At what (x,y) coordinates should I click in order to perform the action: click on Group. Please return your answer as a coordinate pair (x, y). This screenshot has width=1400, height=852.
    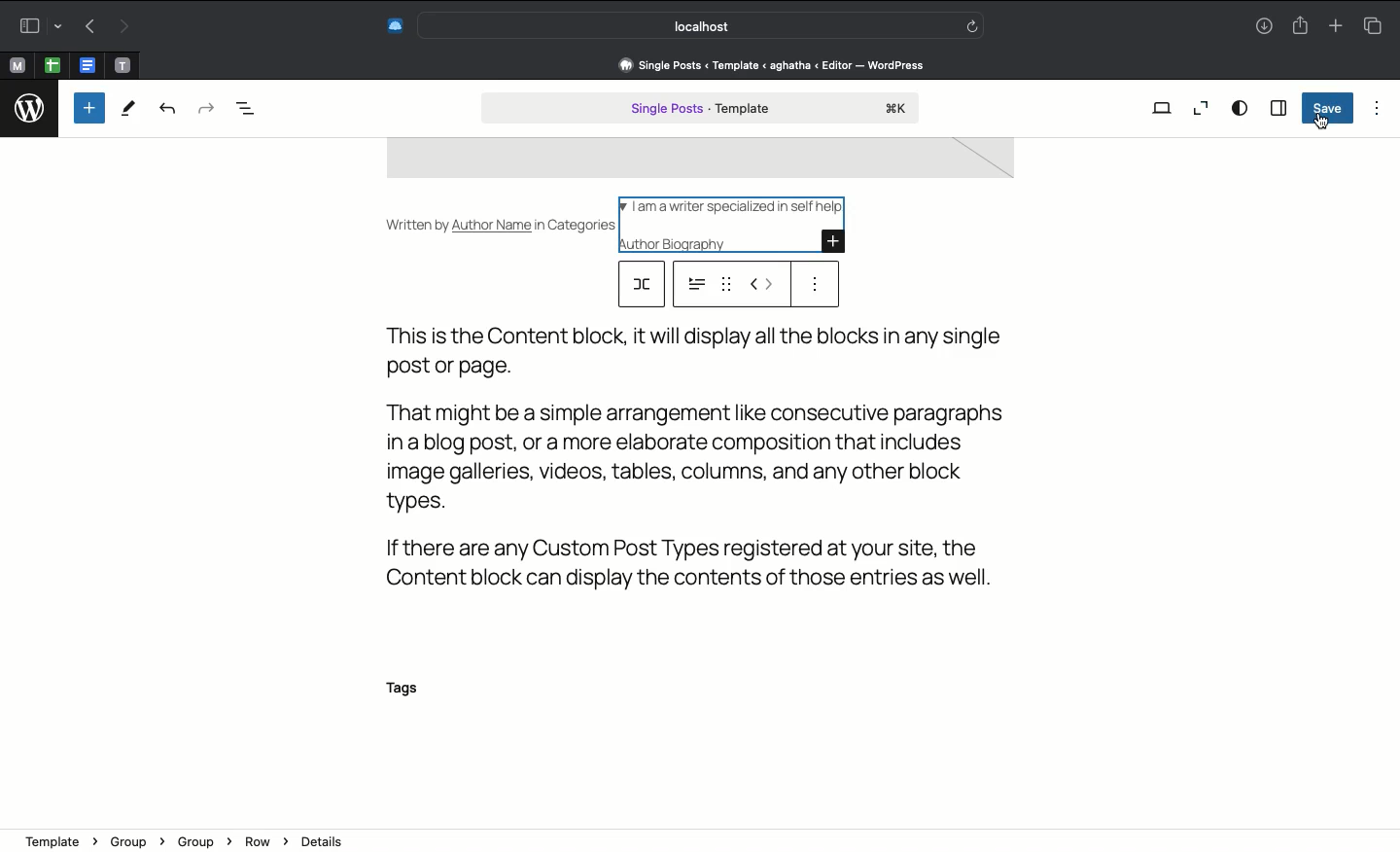
    Looking at the image, I should click on (134, 839).